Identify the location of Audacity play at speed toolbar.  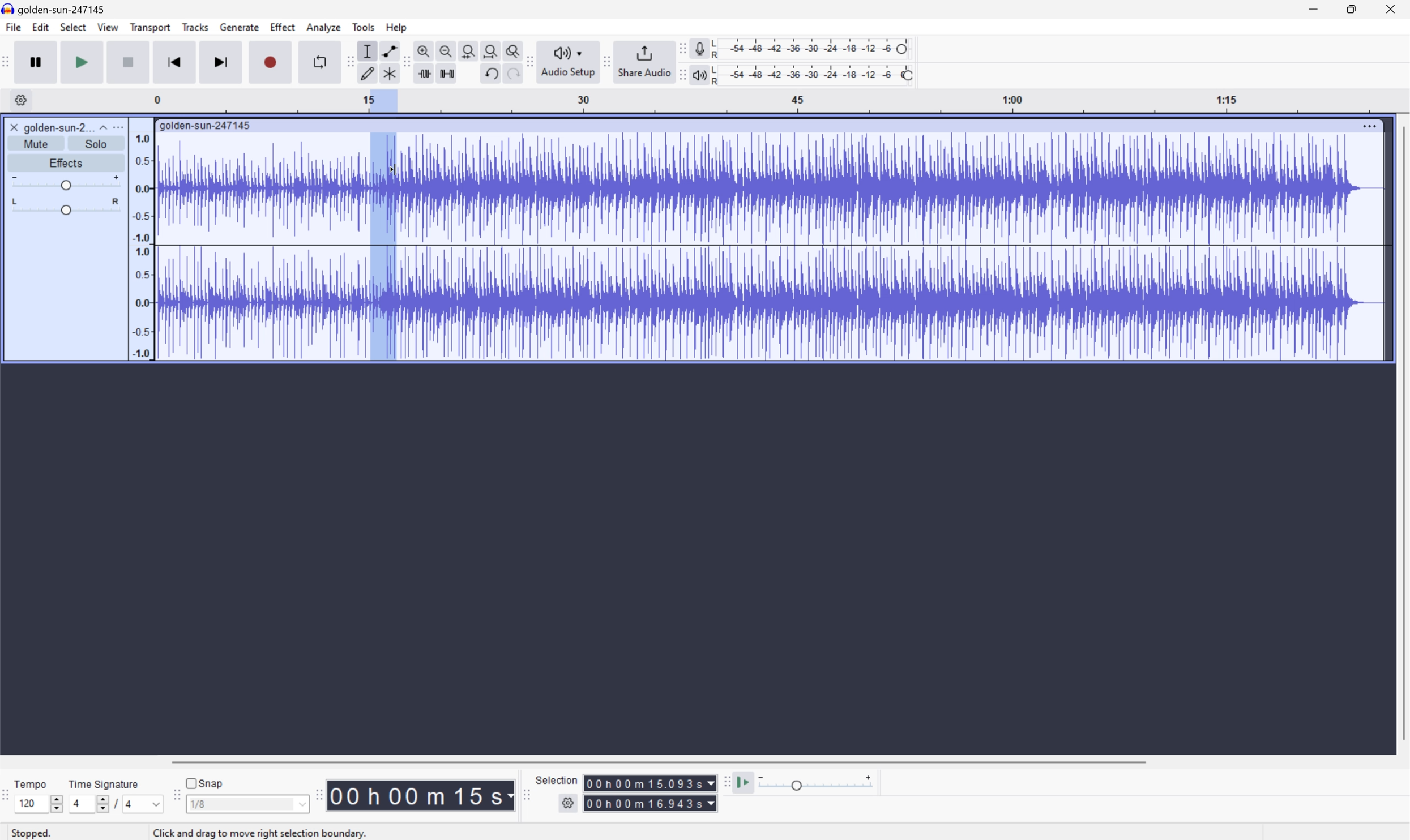
(725, 782).